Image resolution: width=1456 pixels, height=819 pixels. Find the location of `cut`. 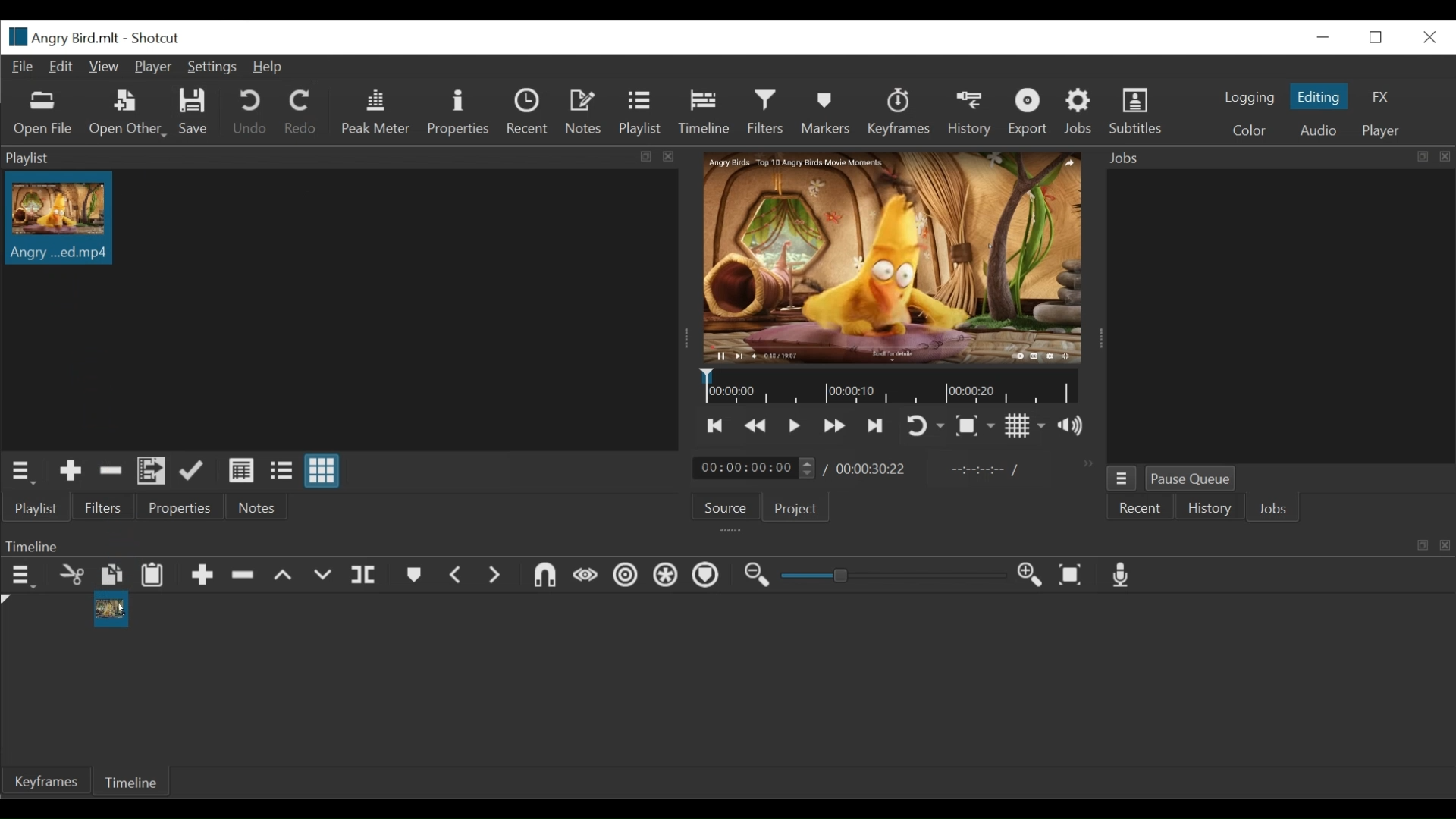

cut is located at coordinates (70, 575).